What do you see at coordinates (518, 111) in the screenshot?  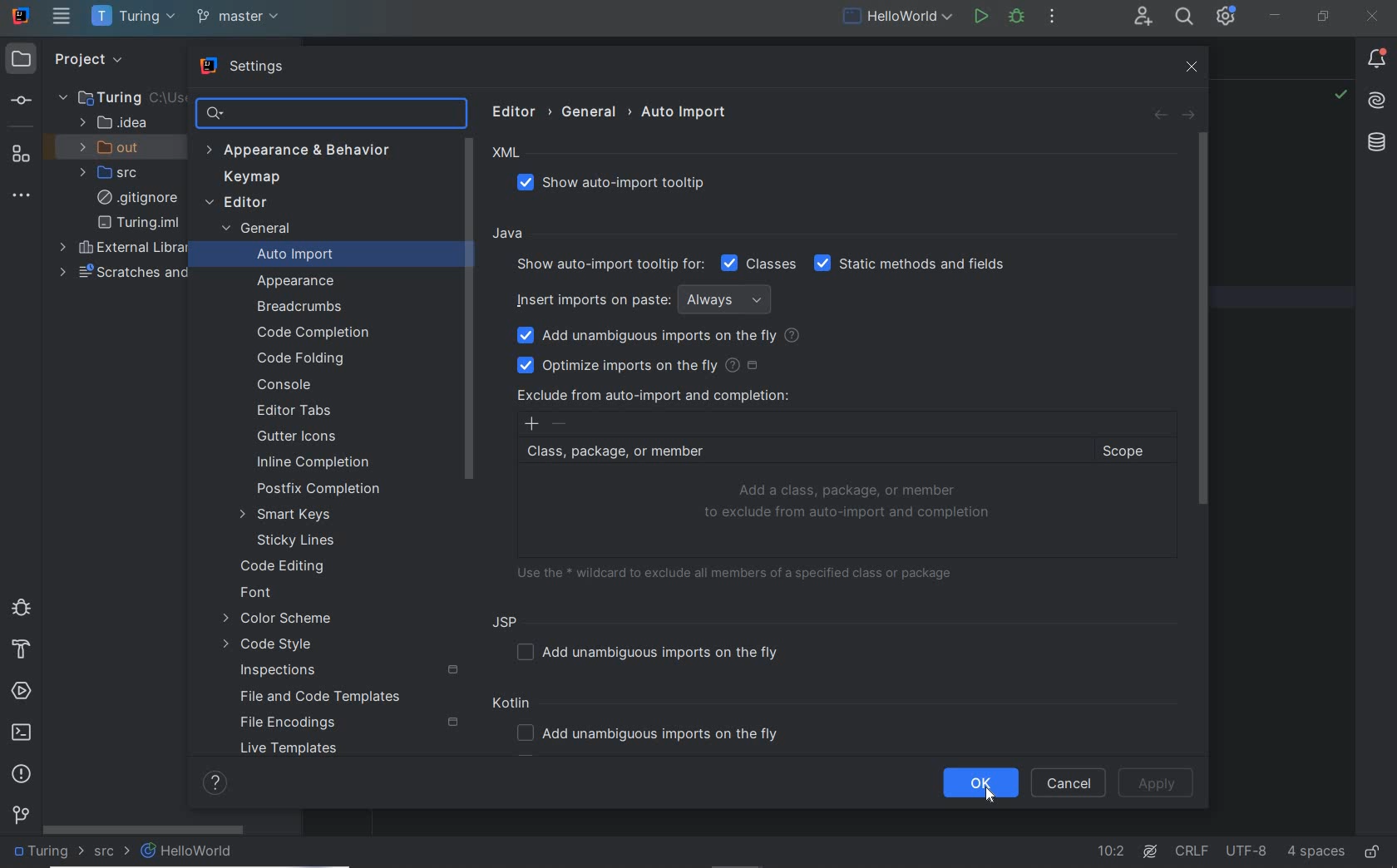 I see `editor` at bounding box center [518, 111].